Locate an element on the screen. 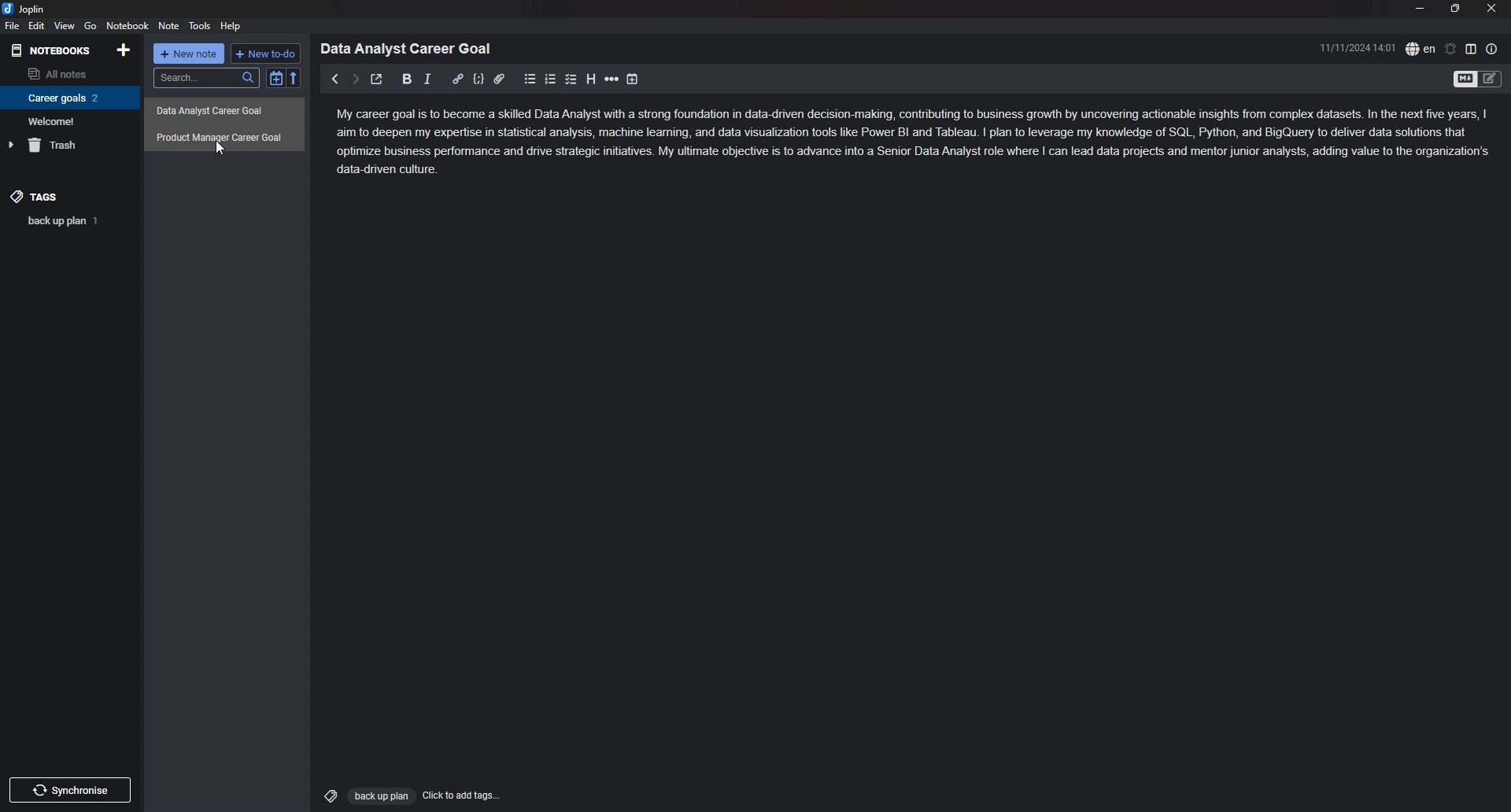 The image size is (1511, 812). Product Manager Career Goal is located at coordinates (225, 137).